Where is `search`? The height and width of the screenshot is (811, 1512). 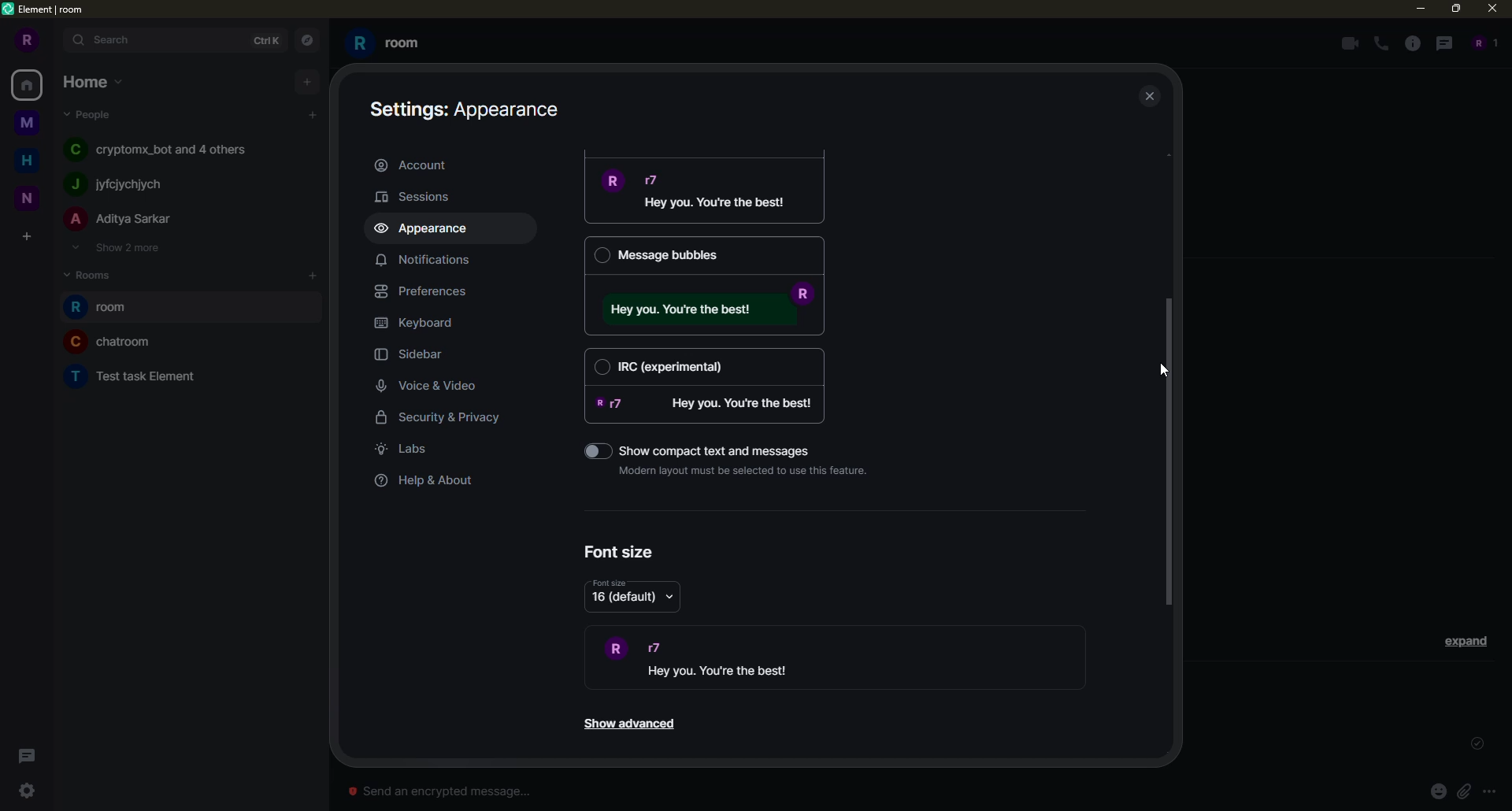
search is located at coordinates (112, 39).